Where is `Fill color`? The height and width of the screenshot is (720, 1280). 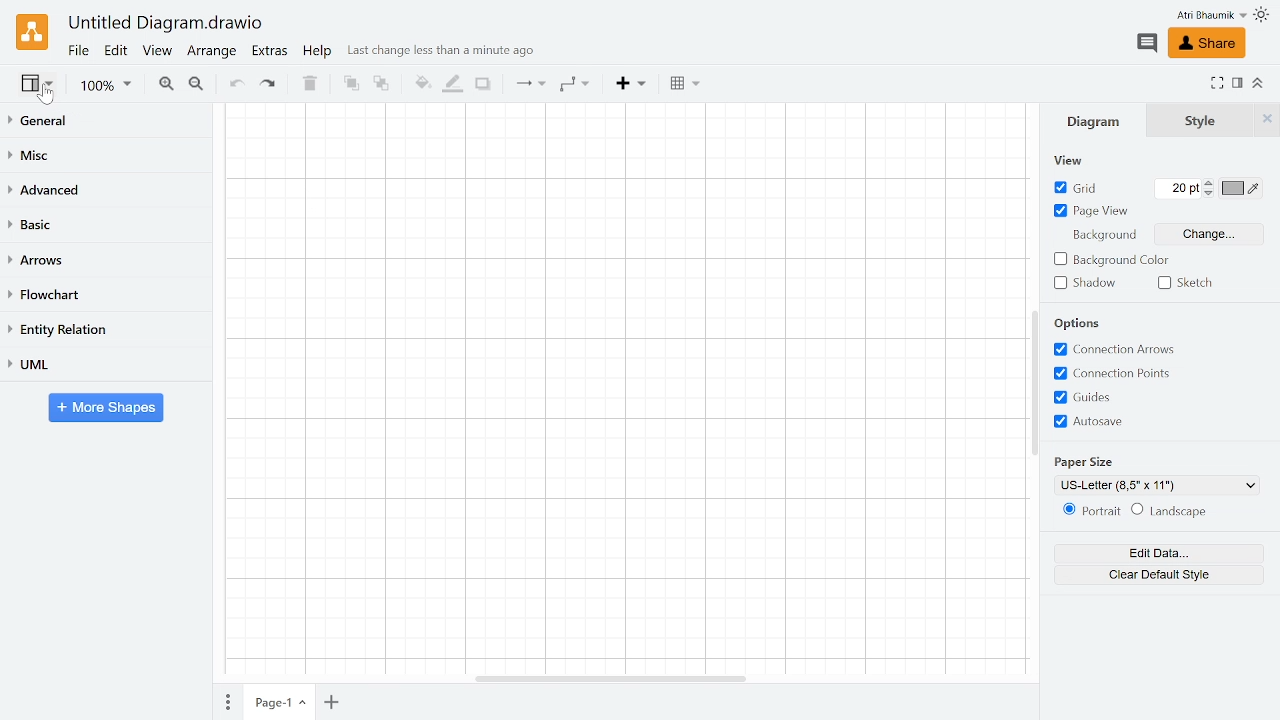
Fill color is located at coordinates (422, 83).